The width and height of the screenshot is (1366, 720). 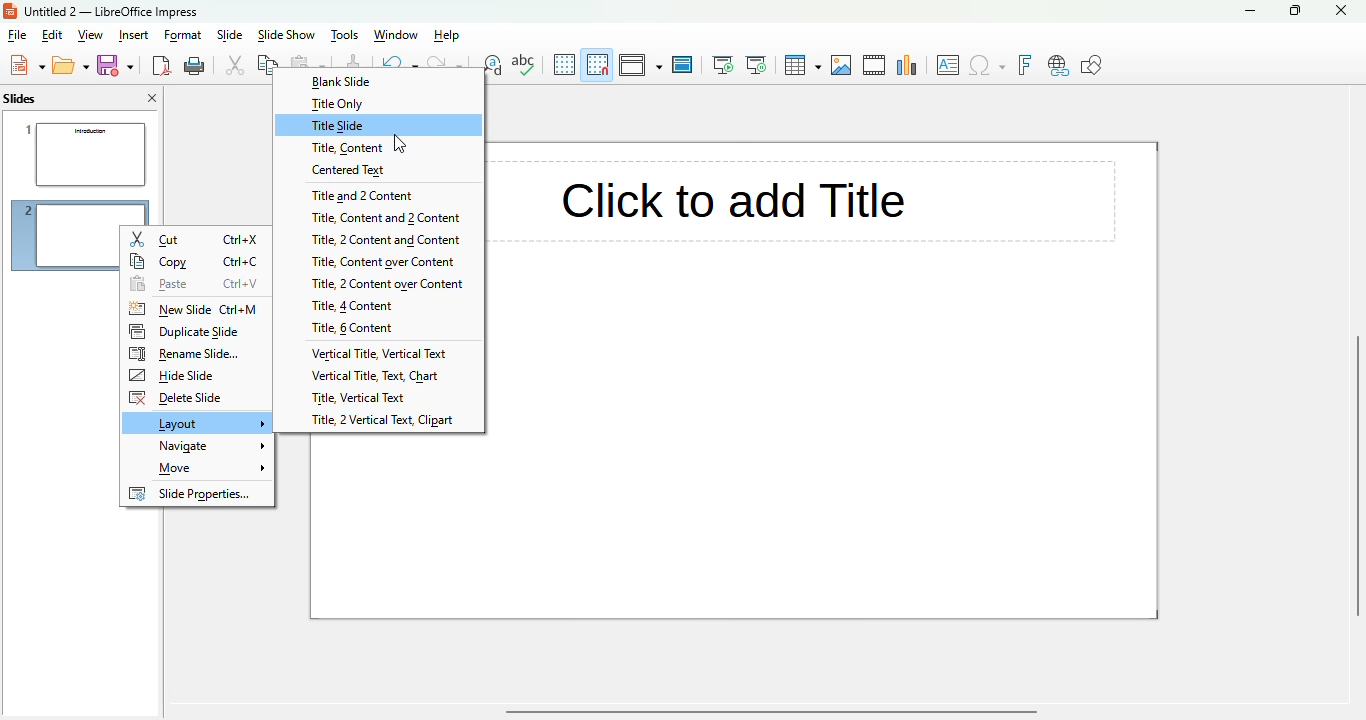 What do you see at coordinates (196, 284) in the screenshot?
I see `paste` at bounding box center [196, 284].